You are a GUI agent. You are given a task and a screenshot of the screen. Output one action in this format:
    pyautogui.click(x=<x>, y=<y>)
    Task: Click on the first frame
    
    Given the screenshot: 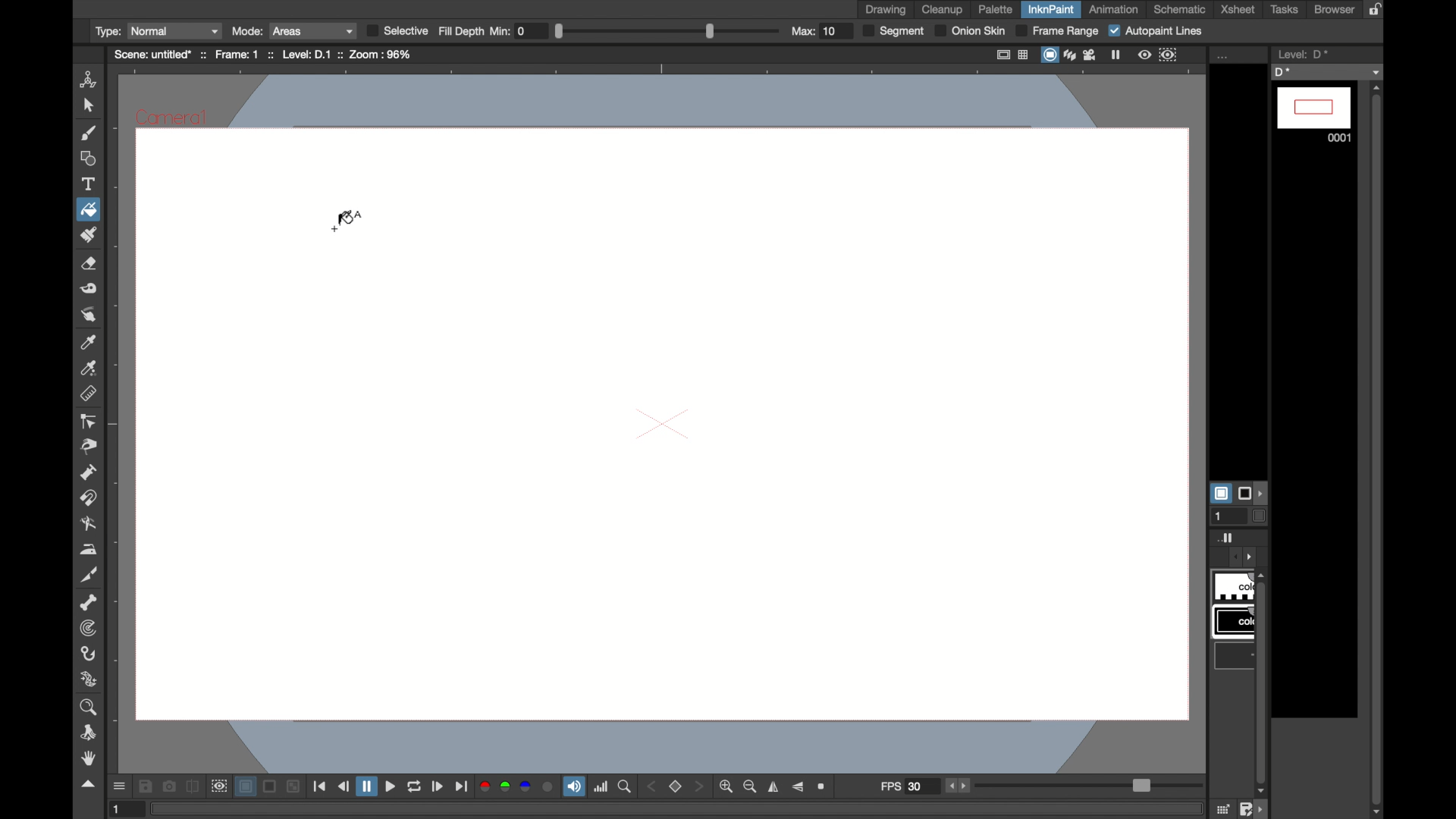 What is the action you would take?
    pyautogui.click(x=322, y=786)
    